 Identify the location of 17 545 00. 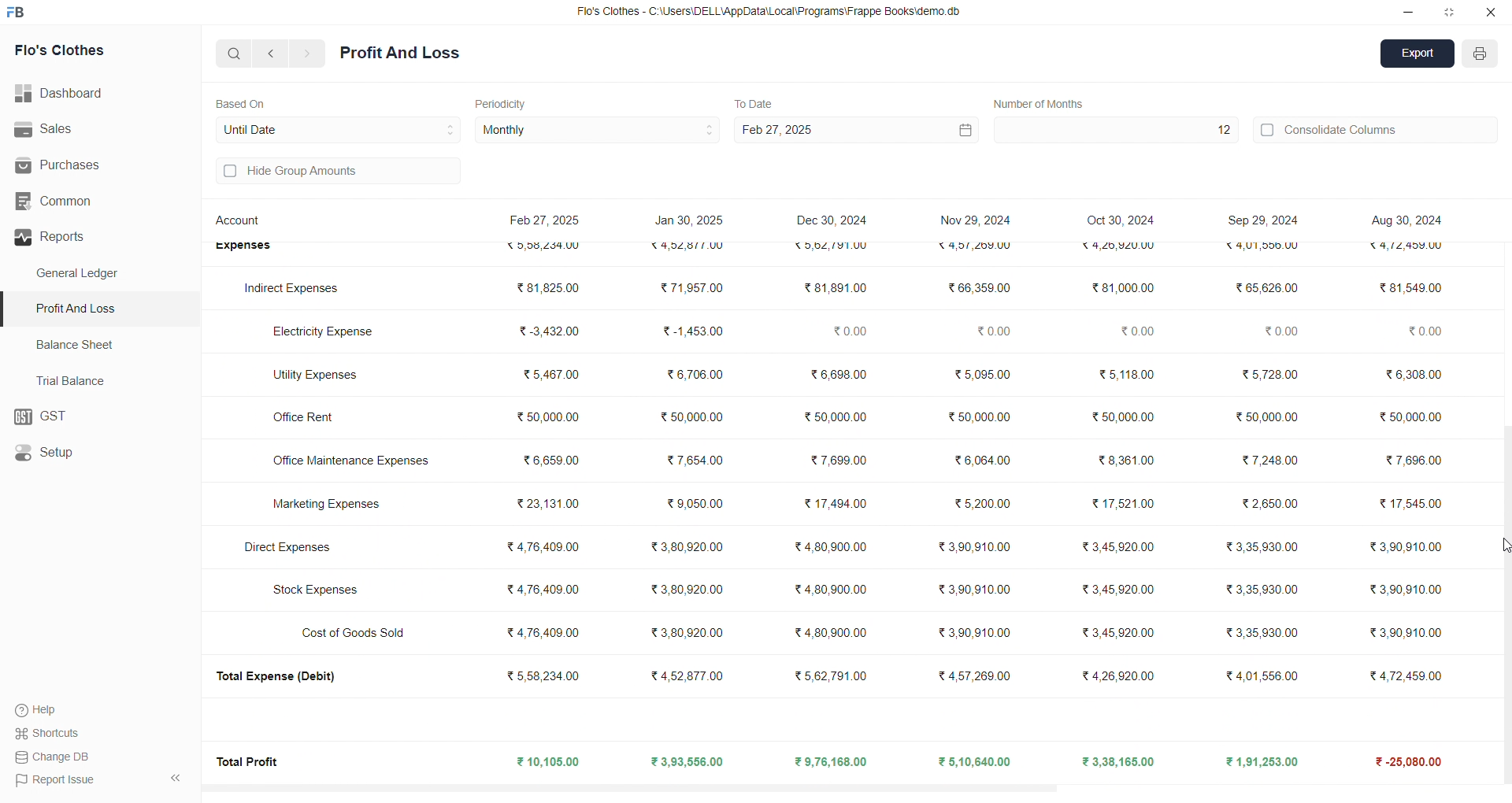
(1408, 506).